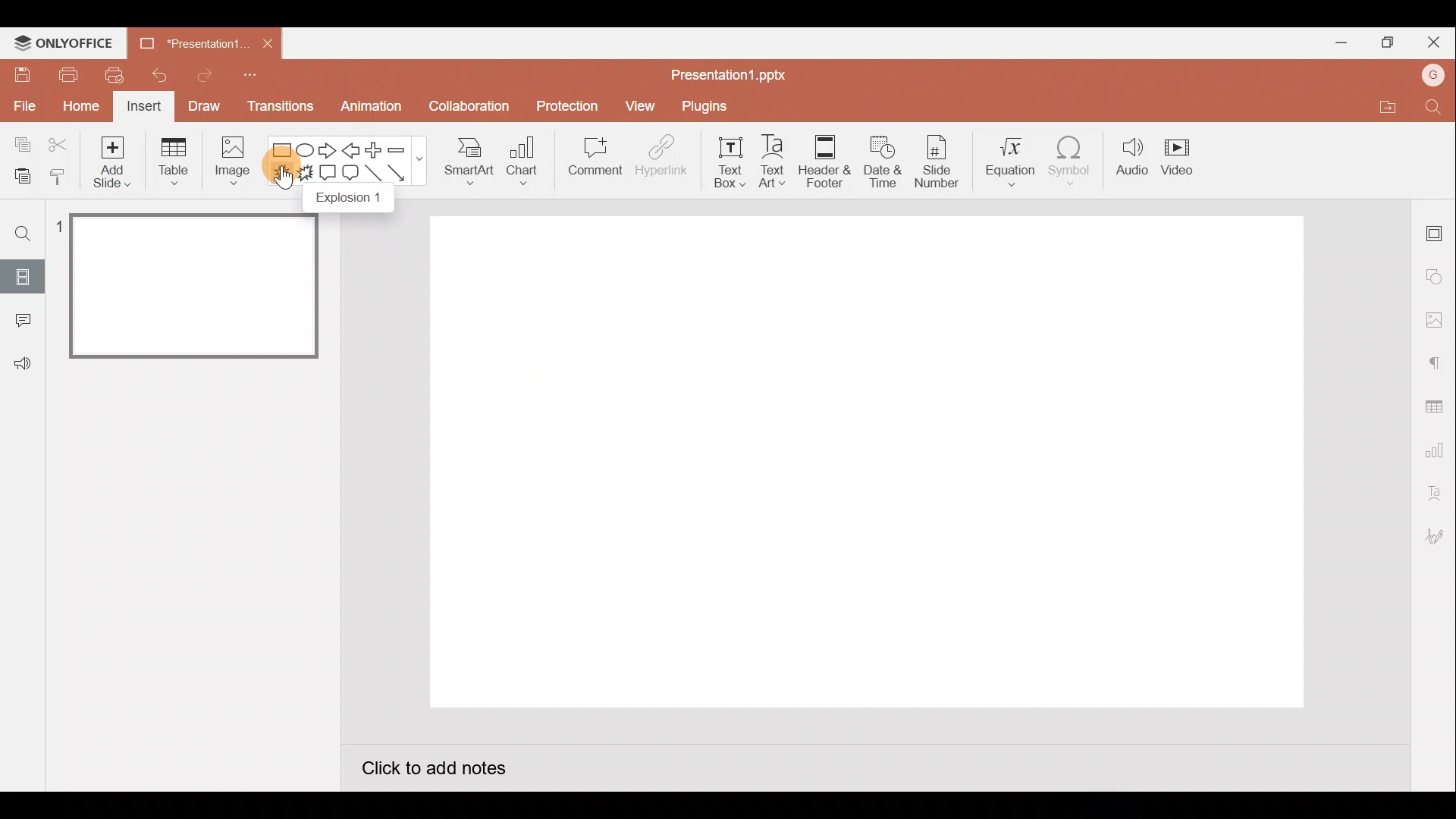 This screenshot has width=1456, height=819. Describe the element at coordinates (401, 174) in the screenshot. I see `Arrow` at that location.